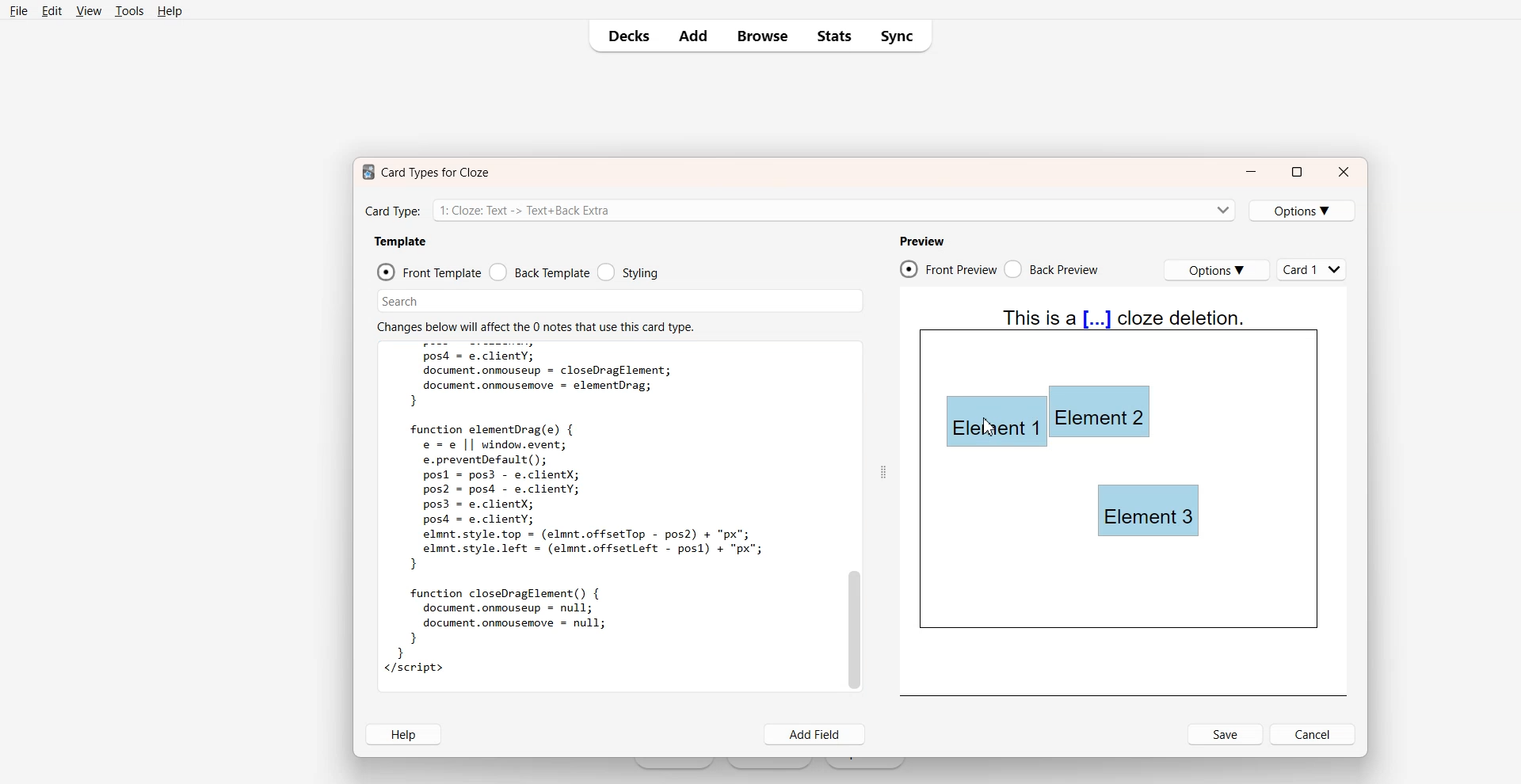  I want to click on Element 1, so click(992, 423).